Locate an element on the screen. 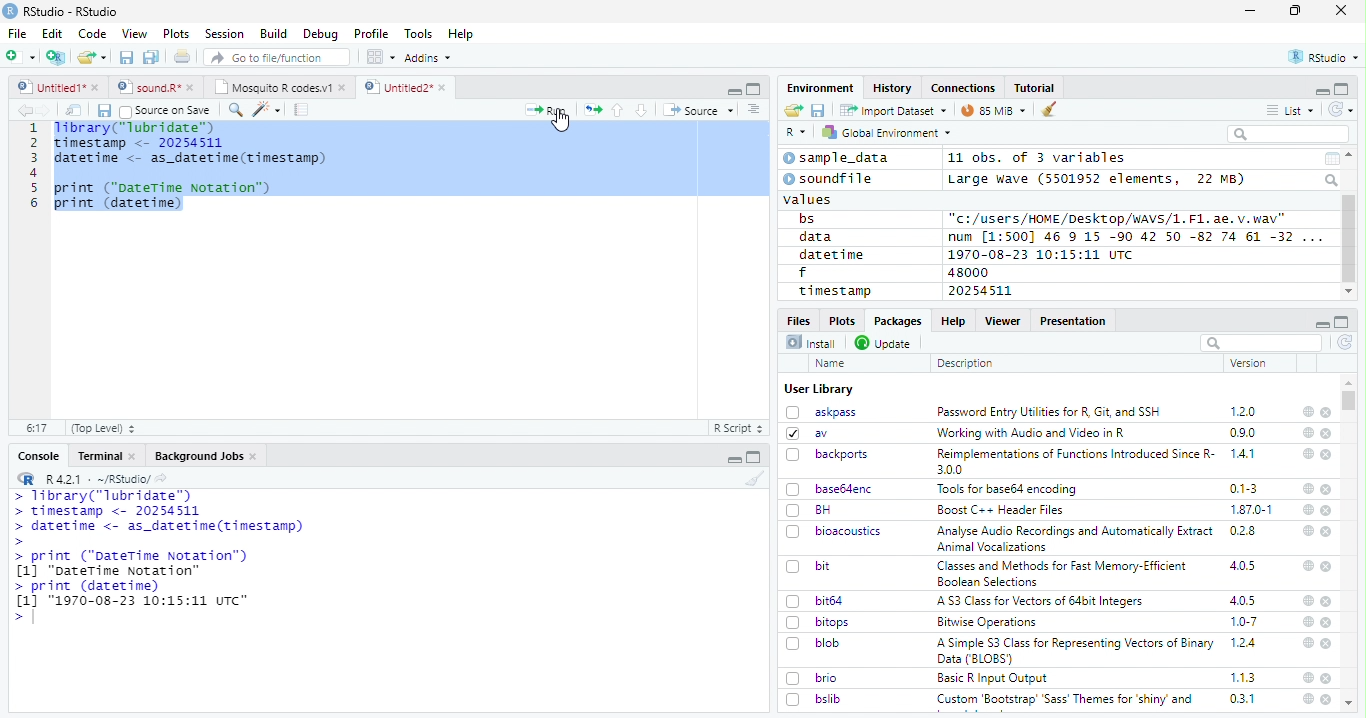 The width and height of the screenshot is (1366, 718). Save all the open documents is located at coordinates (152, 58).